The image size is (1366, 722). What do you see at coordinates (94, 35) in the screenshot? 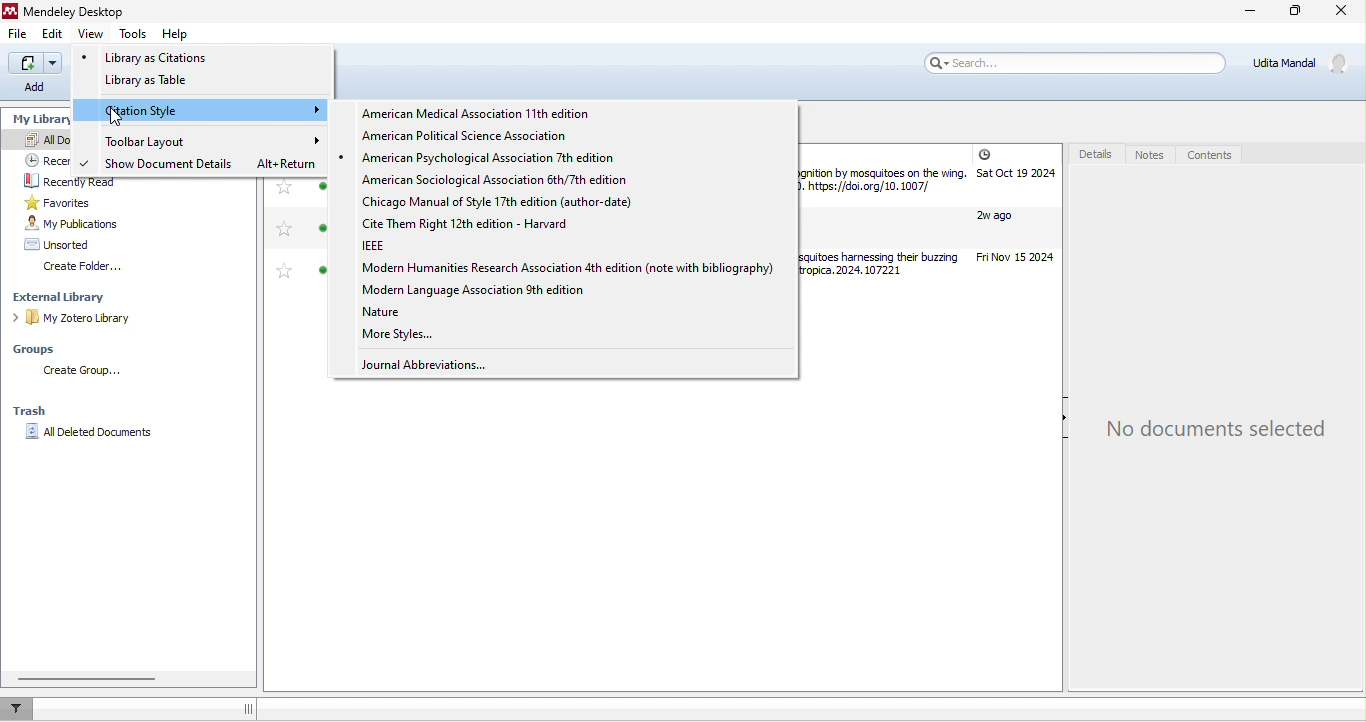
I see `view` at bounding box center [94, 35].